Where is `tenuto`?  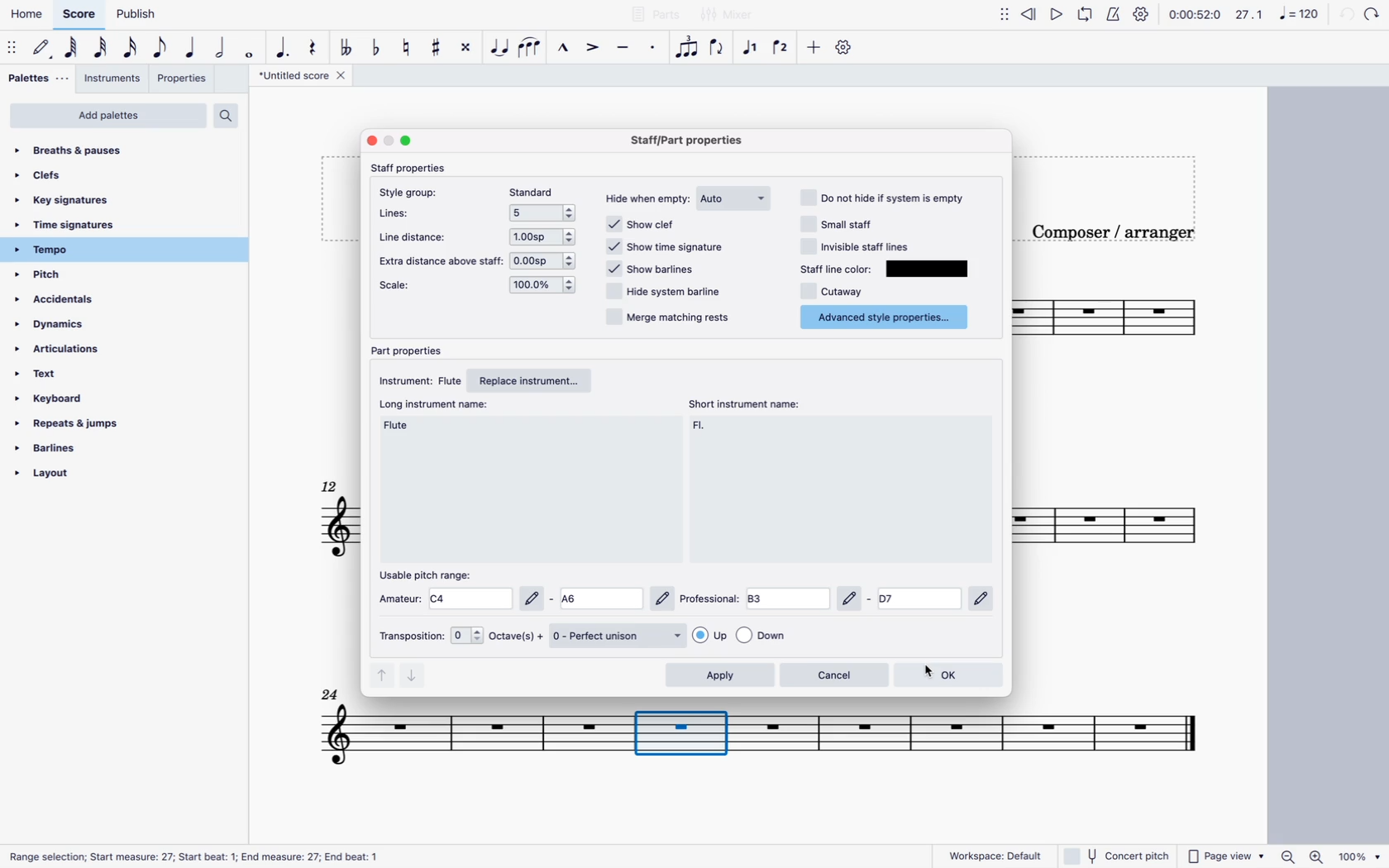 tenuto is located at coordinates (625, 45).